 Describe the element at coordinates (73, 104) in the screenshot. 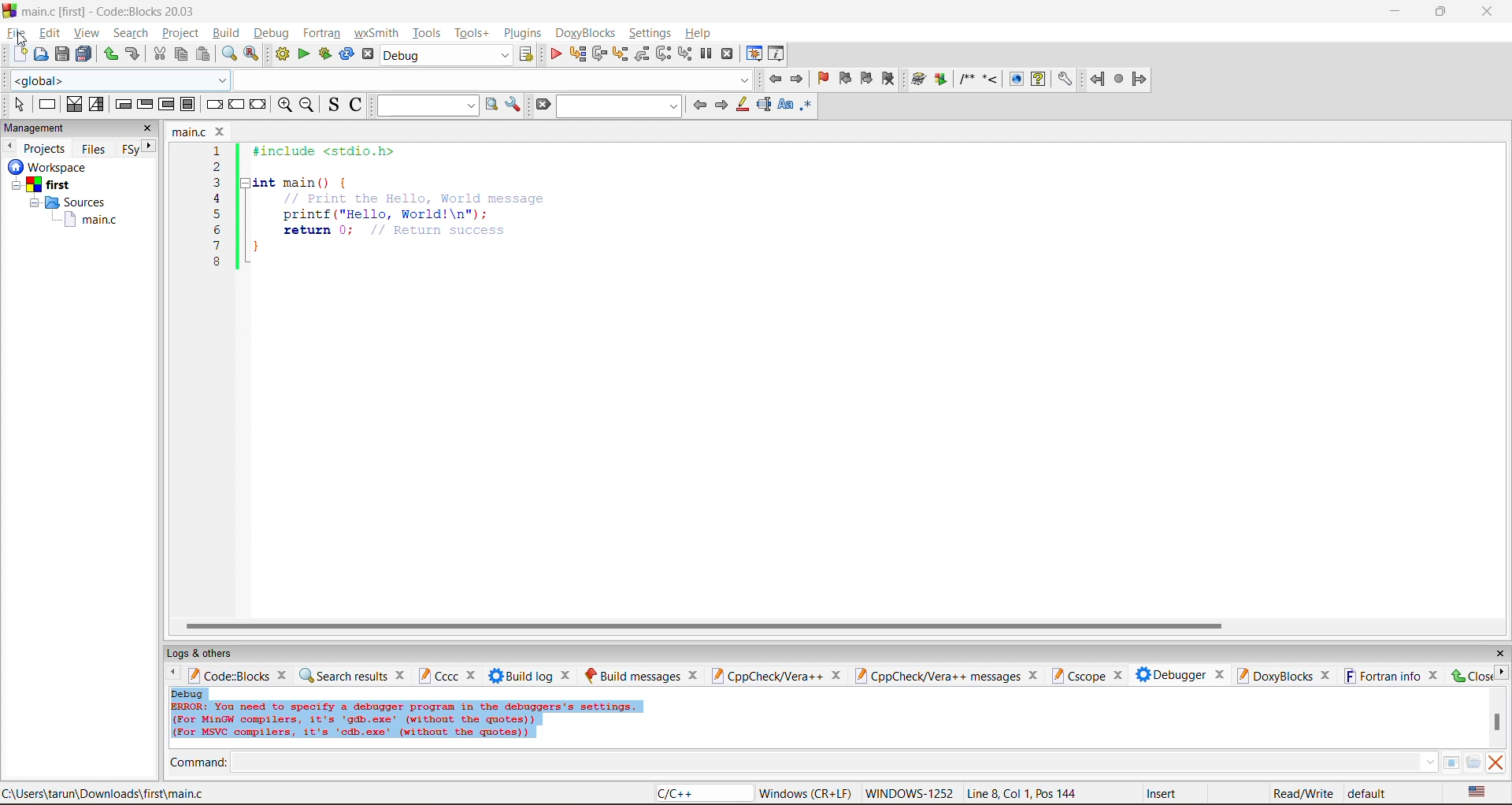

I see `decision` at that location.